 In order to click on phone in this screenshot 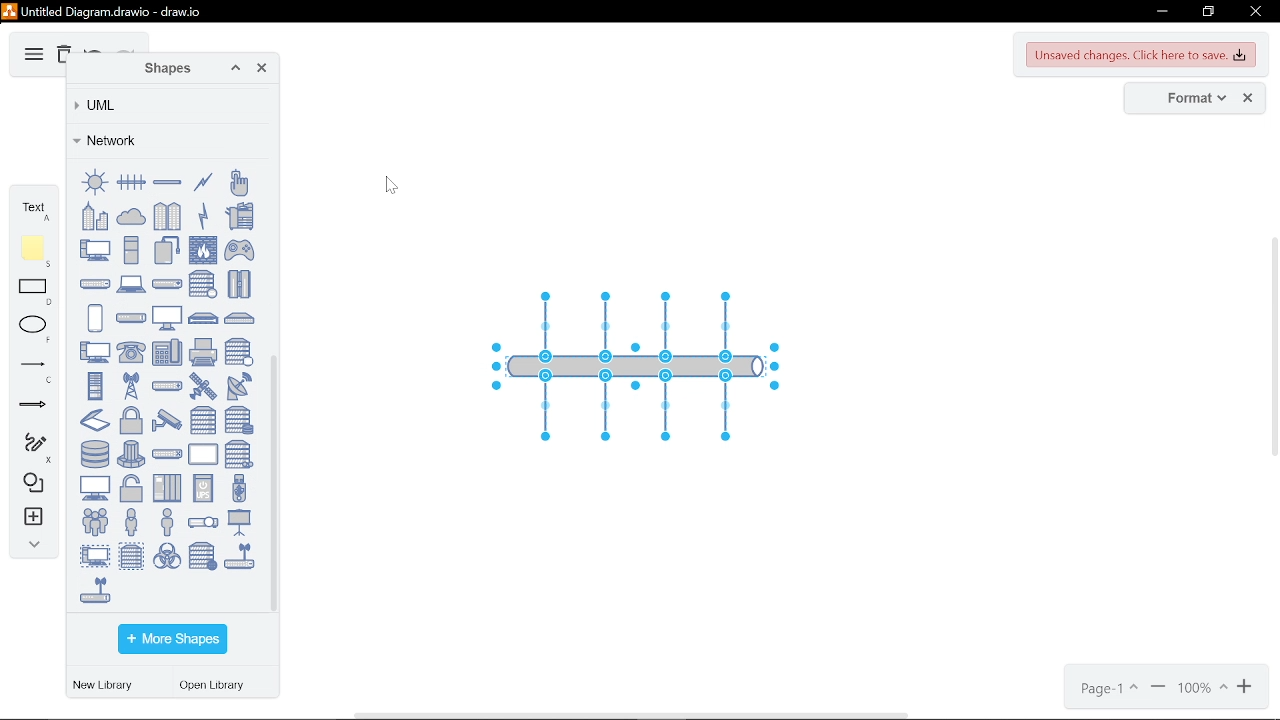, I will do `click(131, 353)`.